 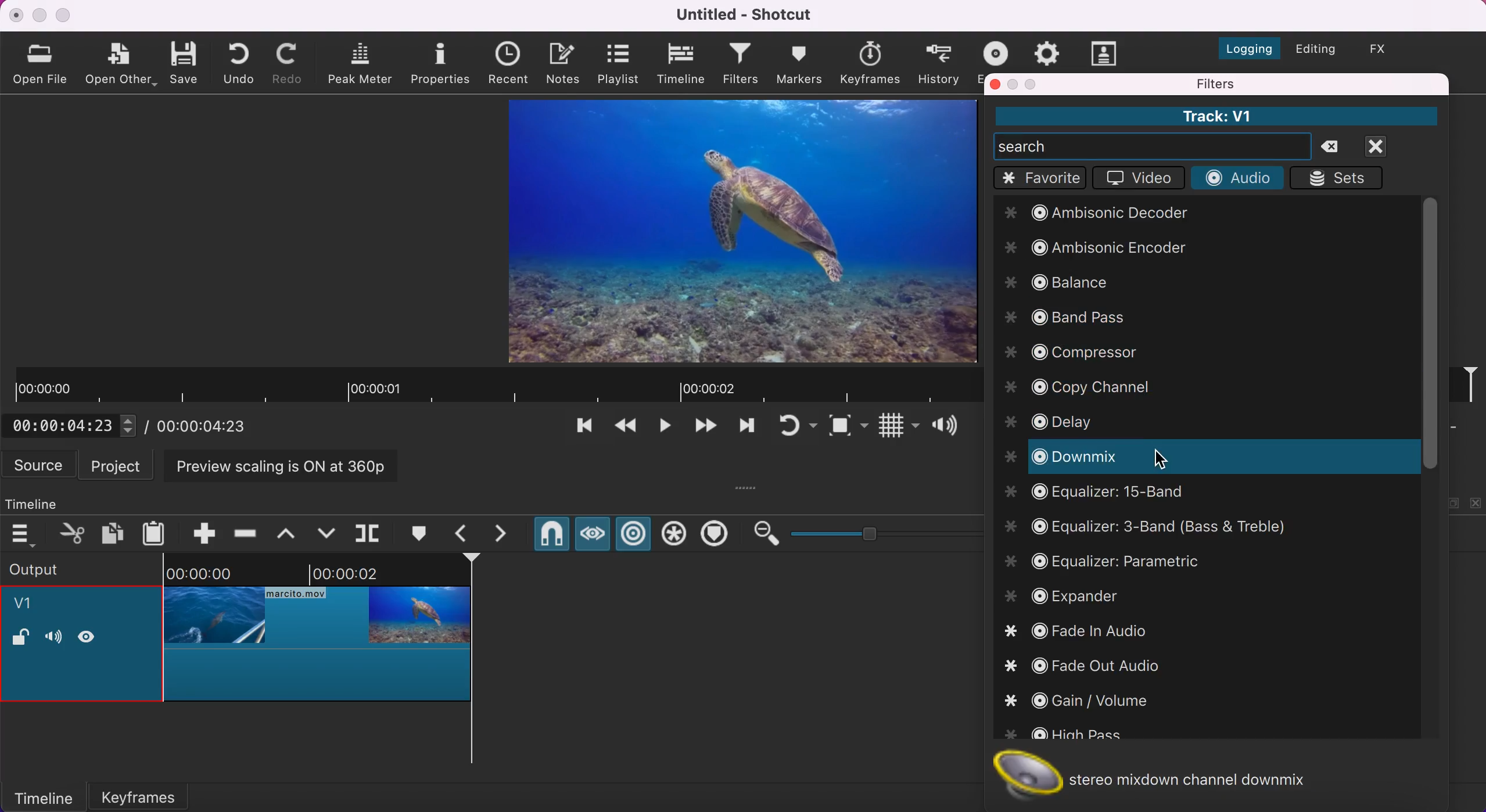 I want to click on snap, so click(x=551, y=536).